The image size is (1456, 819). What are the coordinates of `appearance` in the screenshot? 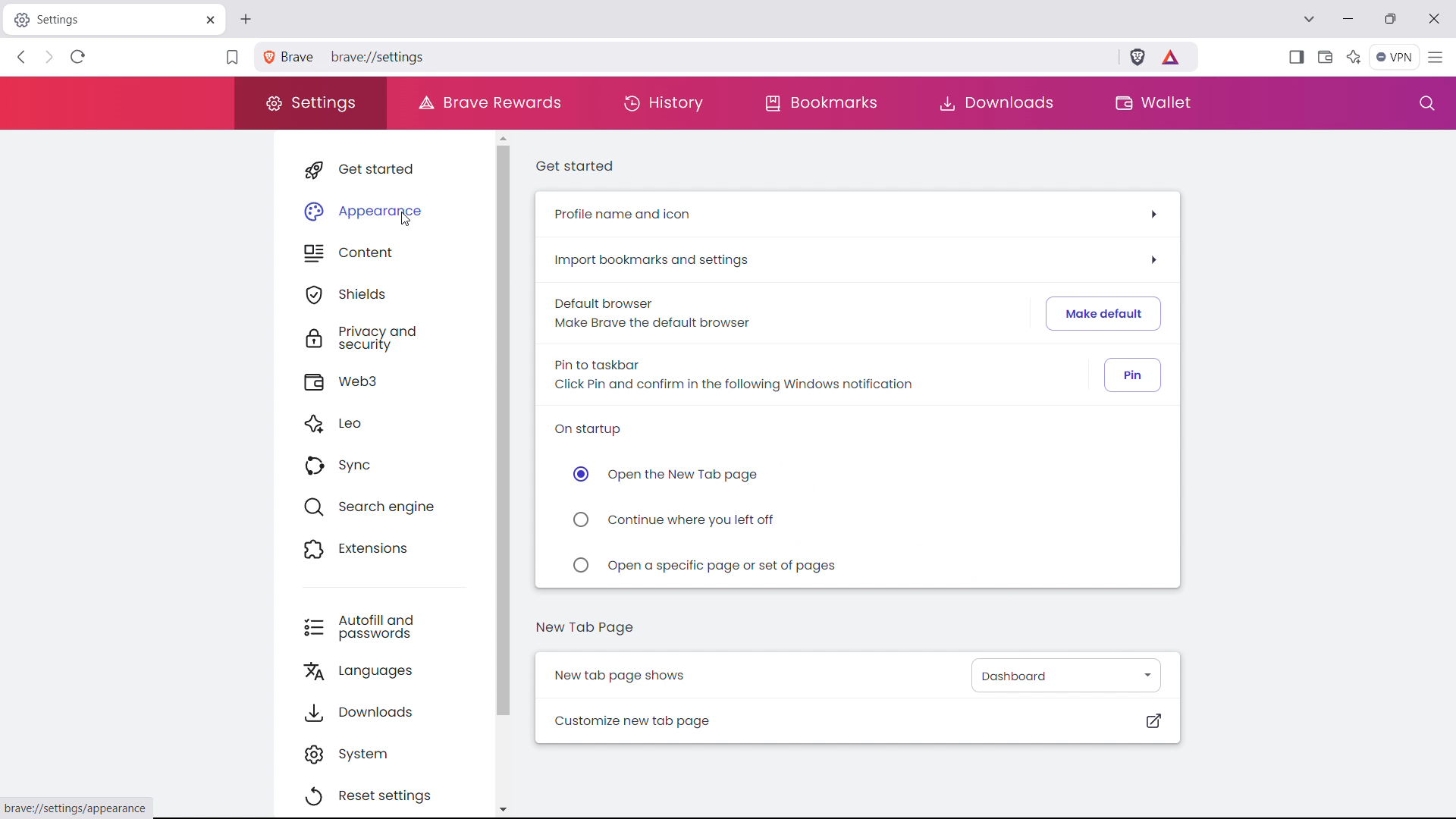 It's located at (384, 207).